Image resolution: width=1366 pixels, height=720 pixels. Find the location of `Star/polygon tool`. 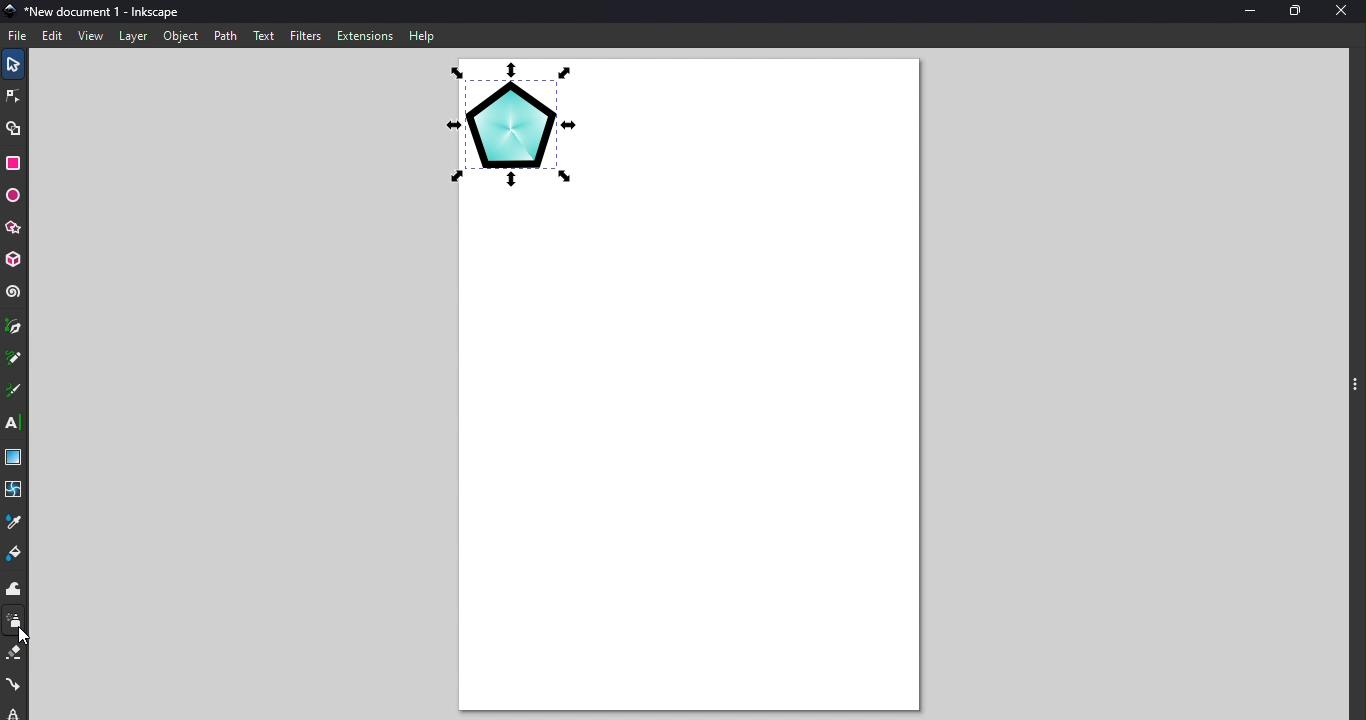

Star/polygon tool is located at coordinates (17, 227).